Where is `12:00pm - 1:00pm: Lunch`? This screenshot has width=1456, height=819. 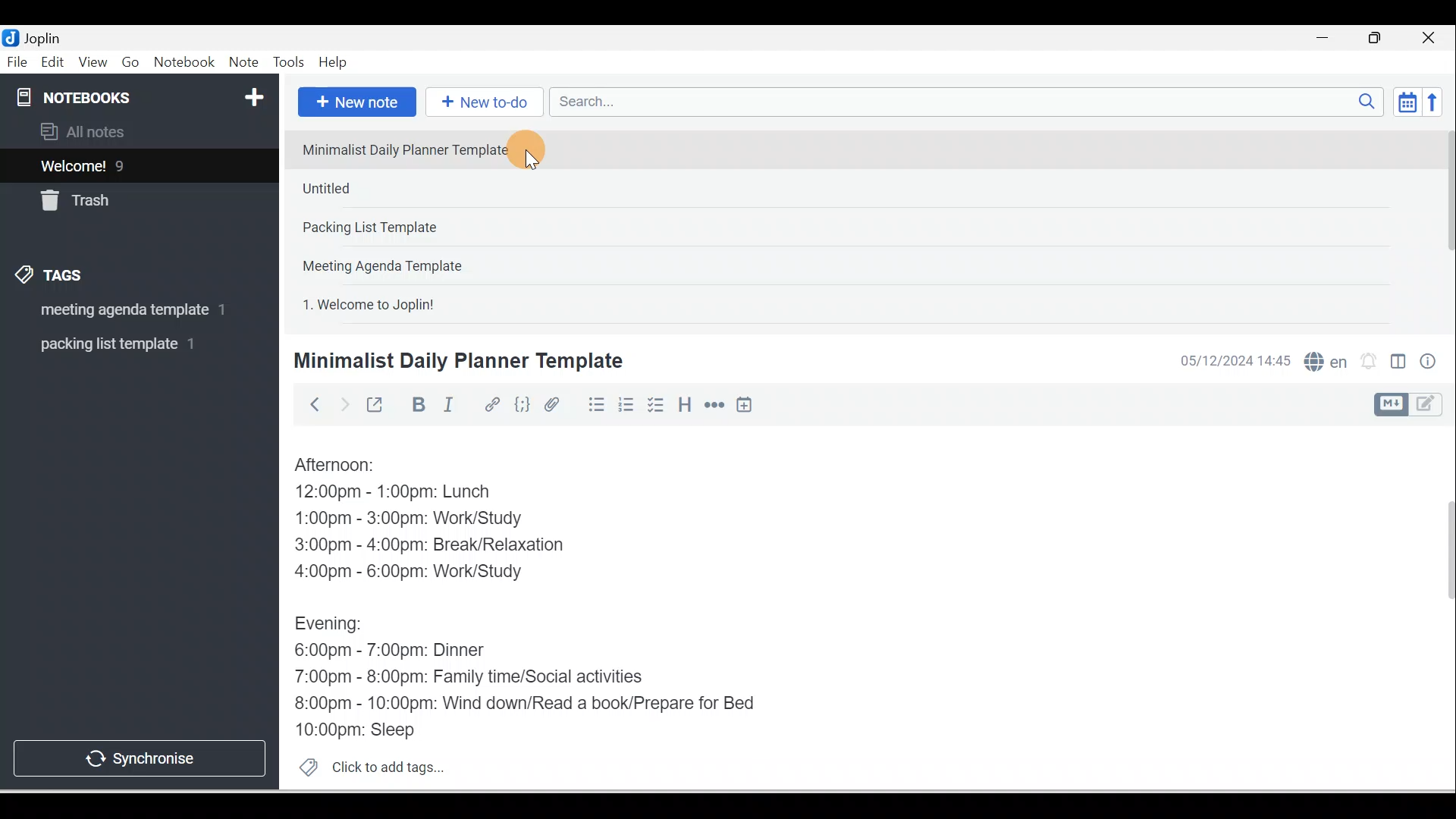 12:00pm - 1:00pm: Lunch is located at coordinates (410, 493).